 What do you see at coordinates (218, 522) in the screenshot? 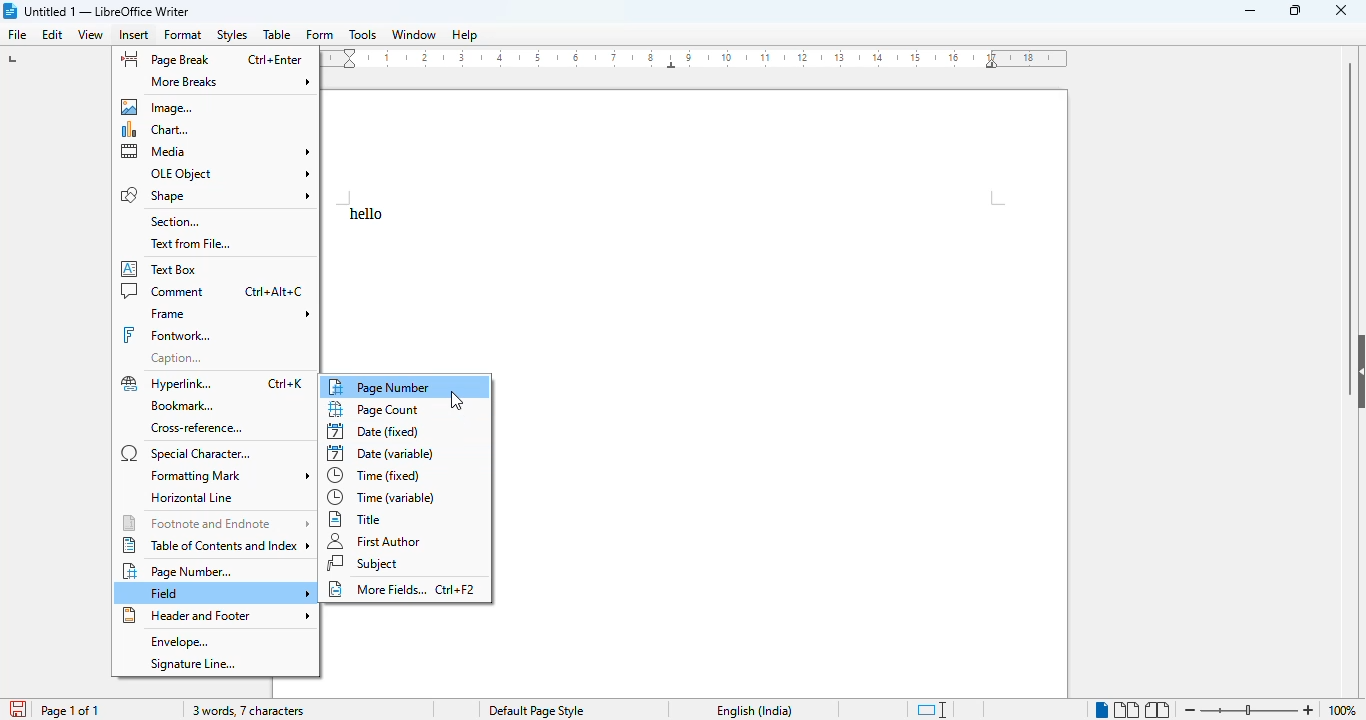
I see `footnote and endnote` at bounding box center [218, 522].